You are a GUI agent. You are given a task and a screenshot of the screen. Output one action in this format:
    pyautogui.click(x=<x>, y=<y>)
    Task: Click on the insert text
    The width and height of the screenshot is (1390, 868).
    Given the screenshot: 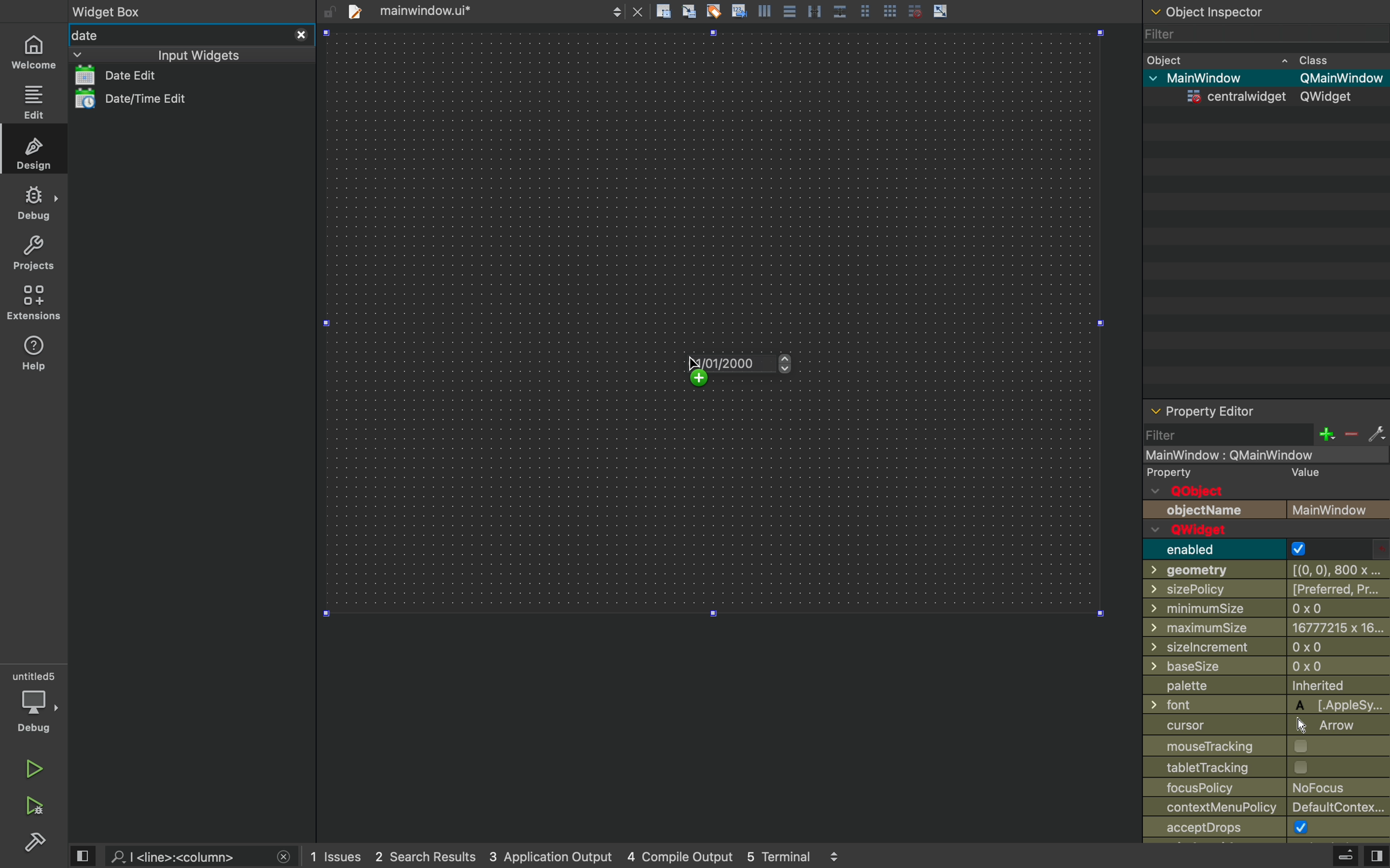 What is the action you would take?
    pyautogui.click(x=738, y=10)
    